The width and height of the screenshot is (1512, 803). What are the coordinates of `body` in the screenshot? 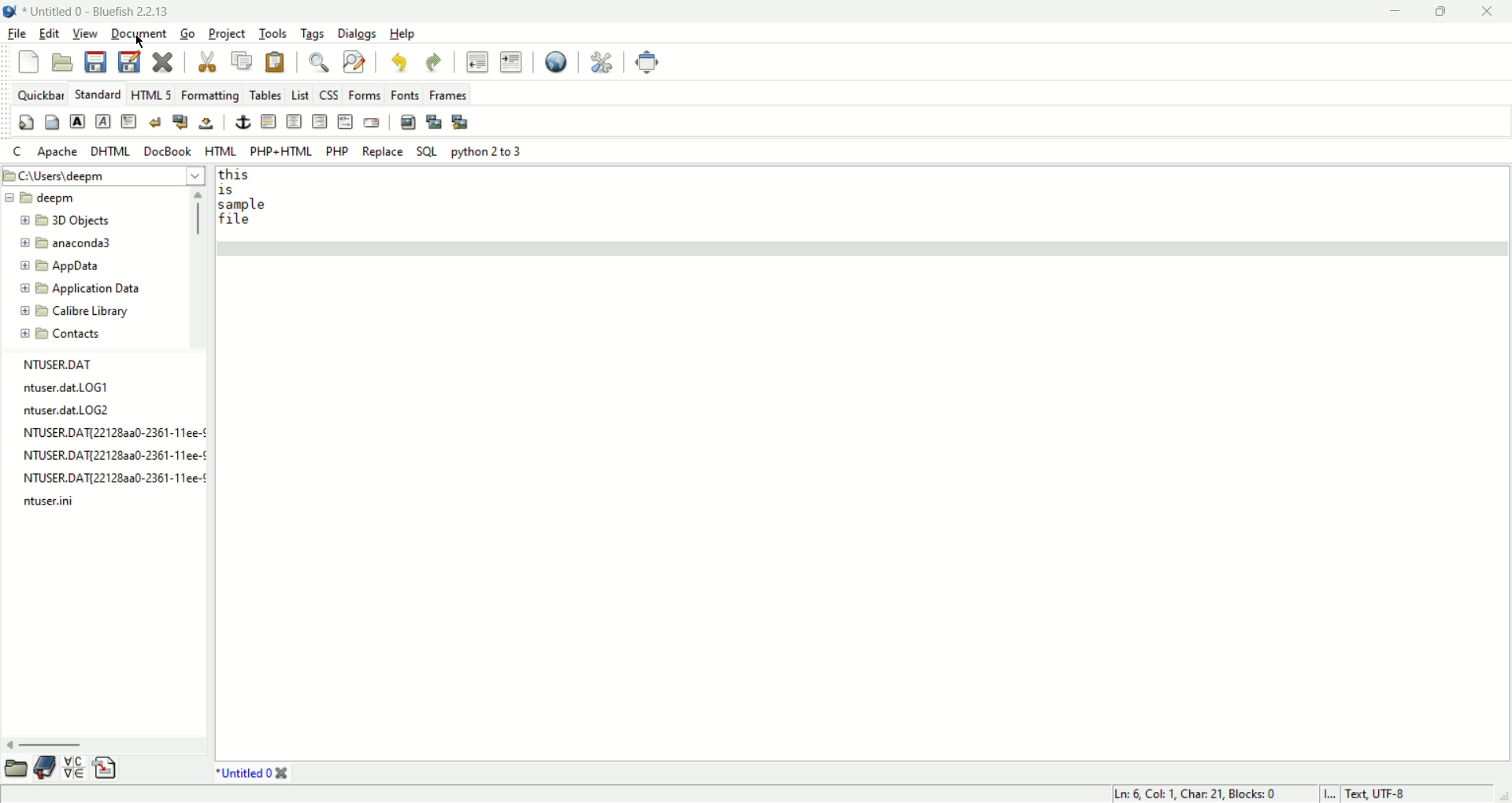 It's located at (52, 122).